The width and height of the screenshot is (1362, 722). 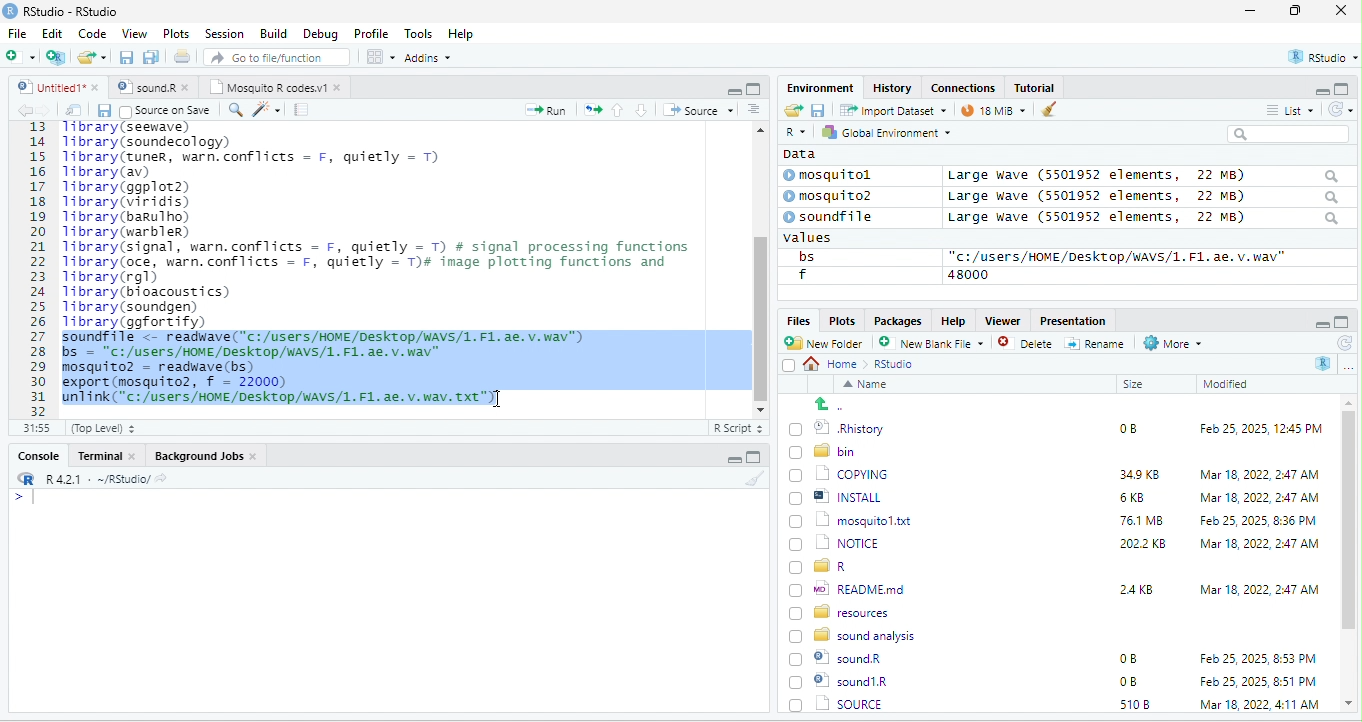 I want to click on (Top Level) +, so click(x=103, y=428).